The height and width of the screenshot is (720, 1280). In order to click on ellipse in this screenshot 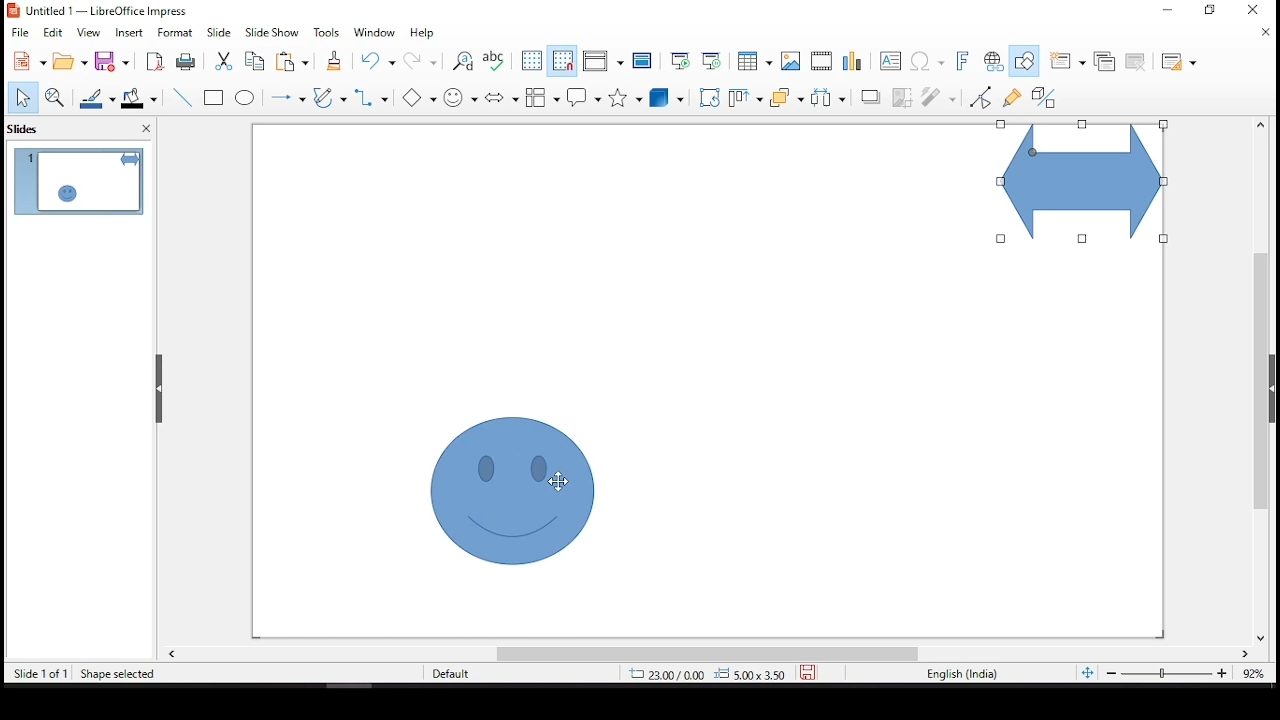, I will do `click(245, 98)`.